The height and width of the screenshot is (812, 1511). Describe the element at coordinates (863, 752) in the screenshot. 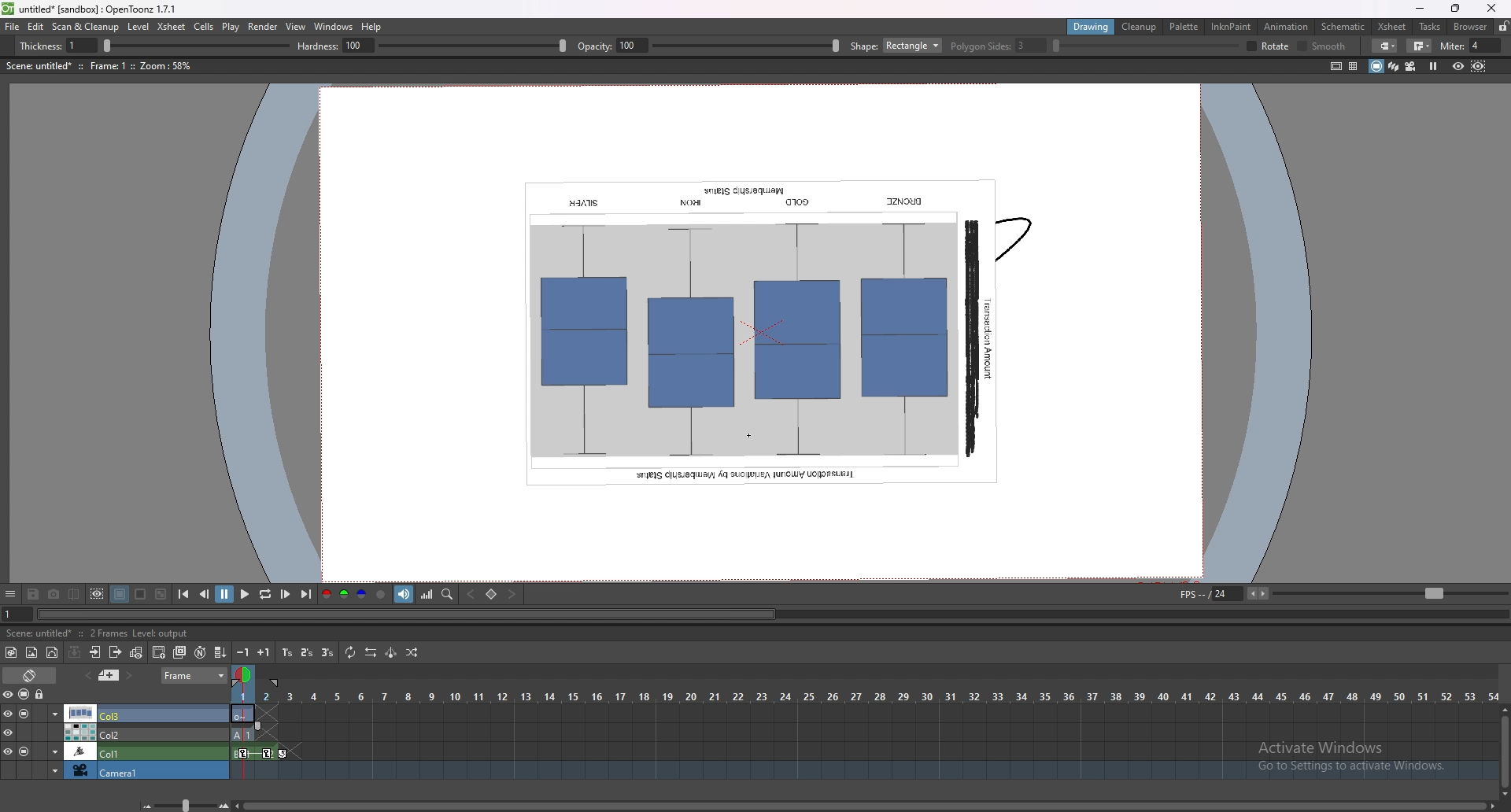

I see `timeline` at that location.